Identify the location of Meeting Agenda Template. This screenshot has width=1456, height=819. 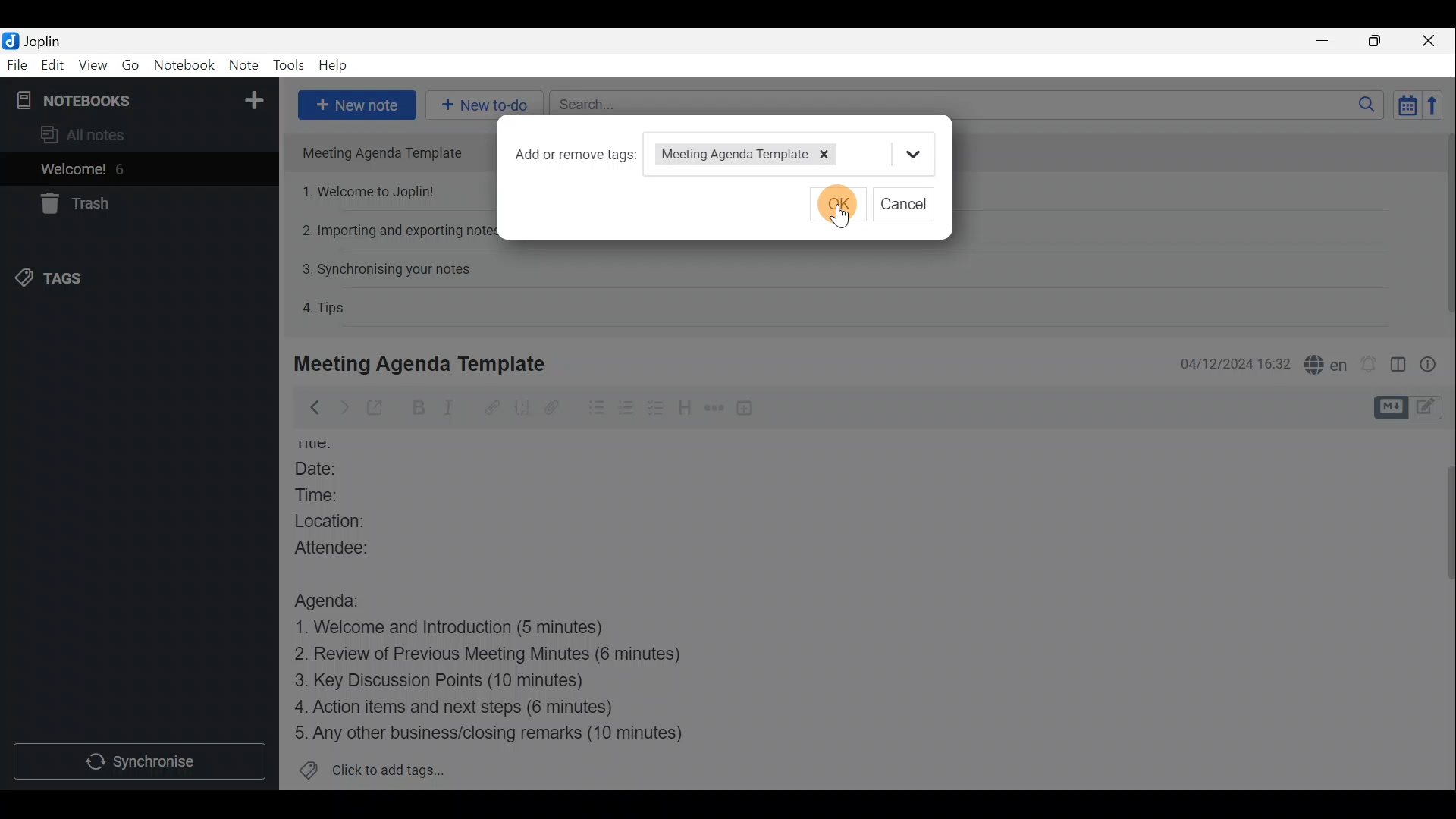
(726, 155).